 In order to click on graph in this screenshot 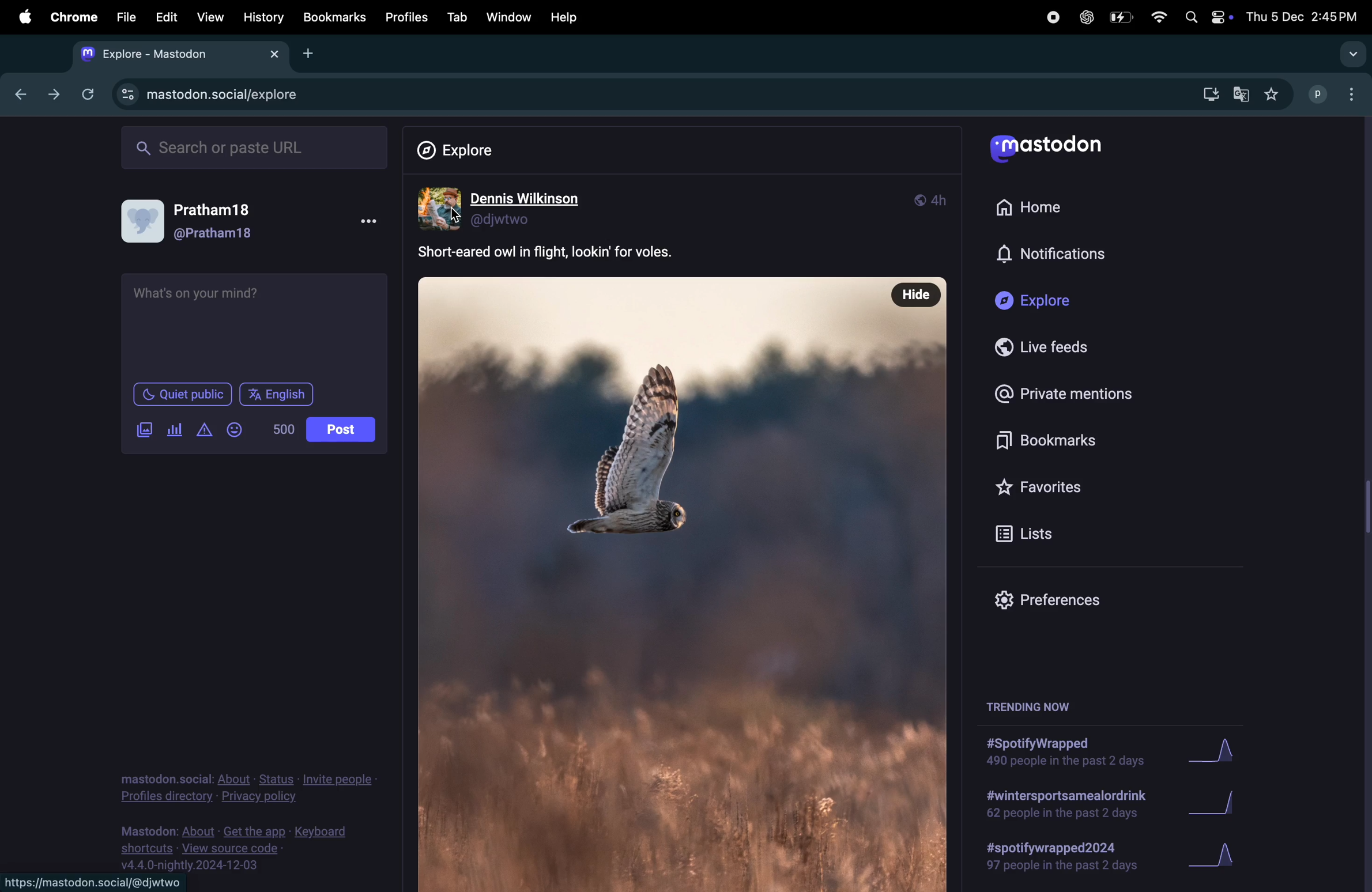, I will do `click(1218, 858)`.